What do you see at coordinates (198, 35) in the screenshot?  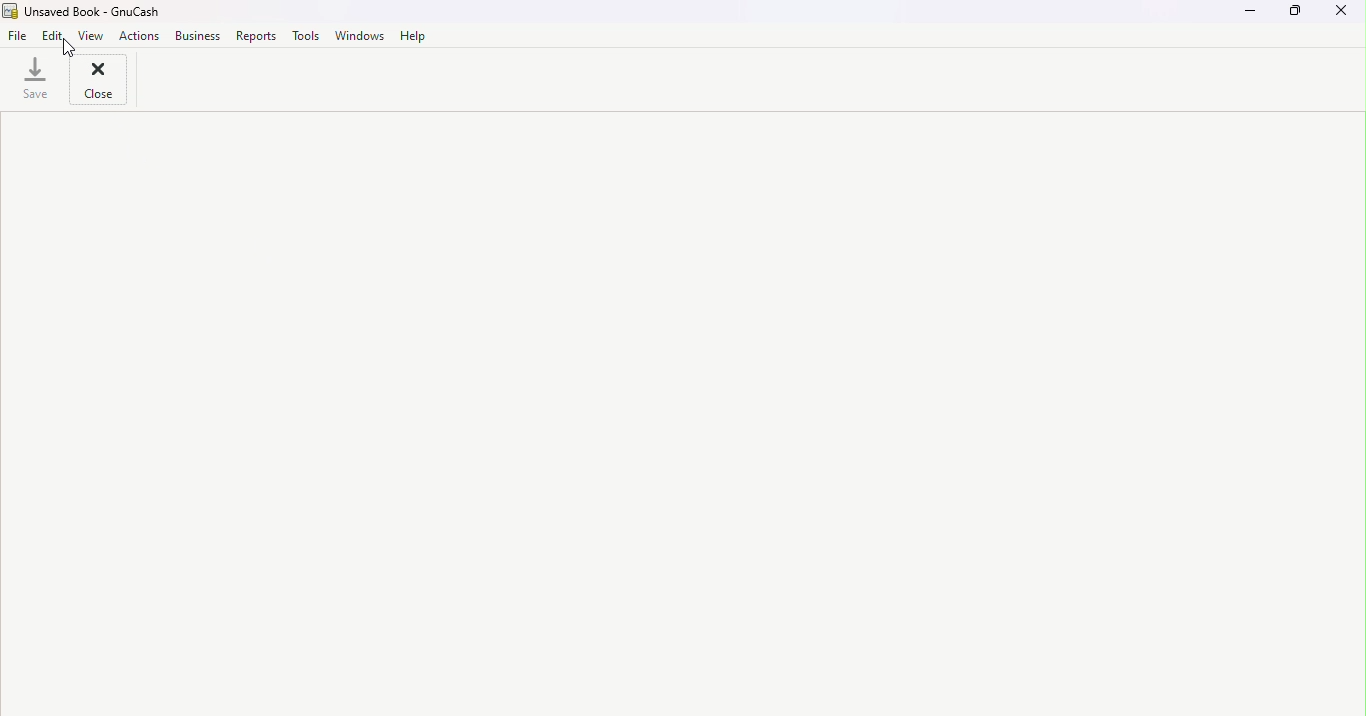 I see `Business` at bounding box center [198, 35].